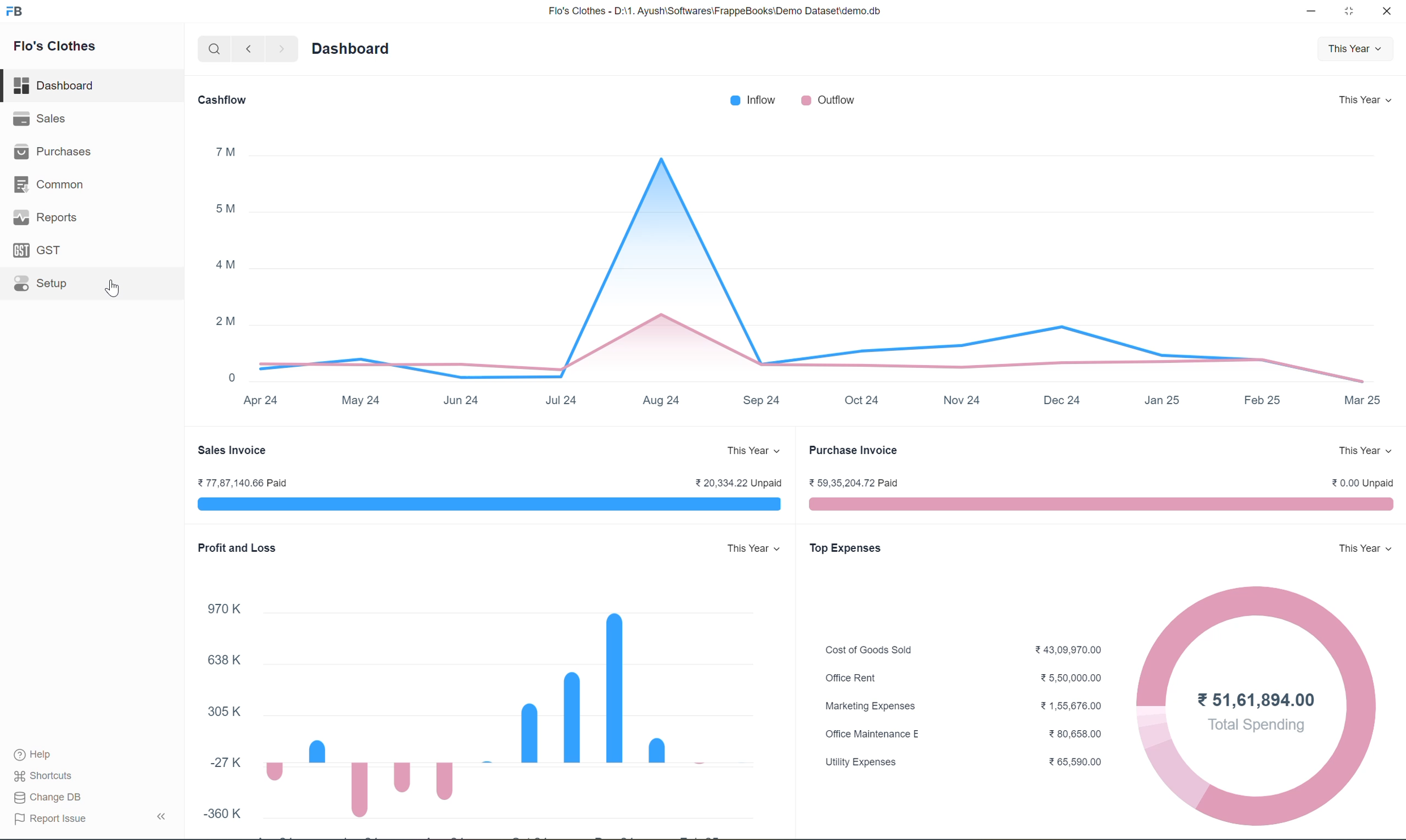 The height and width of the screenshot is (840, 1406). I want to click on Outflow, so click(827, 100).